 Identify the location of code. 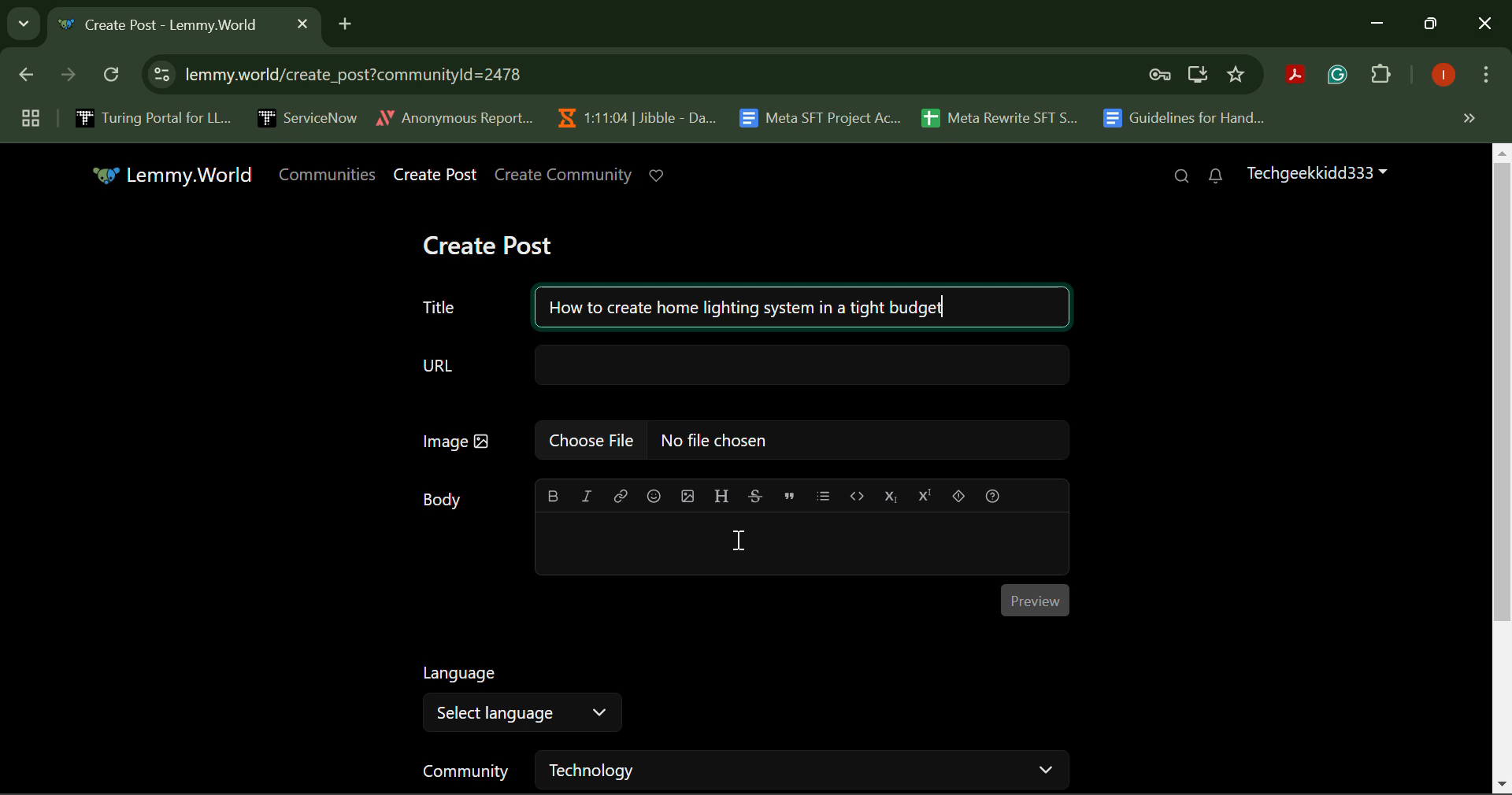
(855, 494).